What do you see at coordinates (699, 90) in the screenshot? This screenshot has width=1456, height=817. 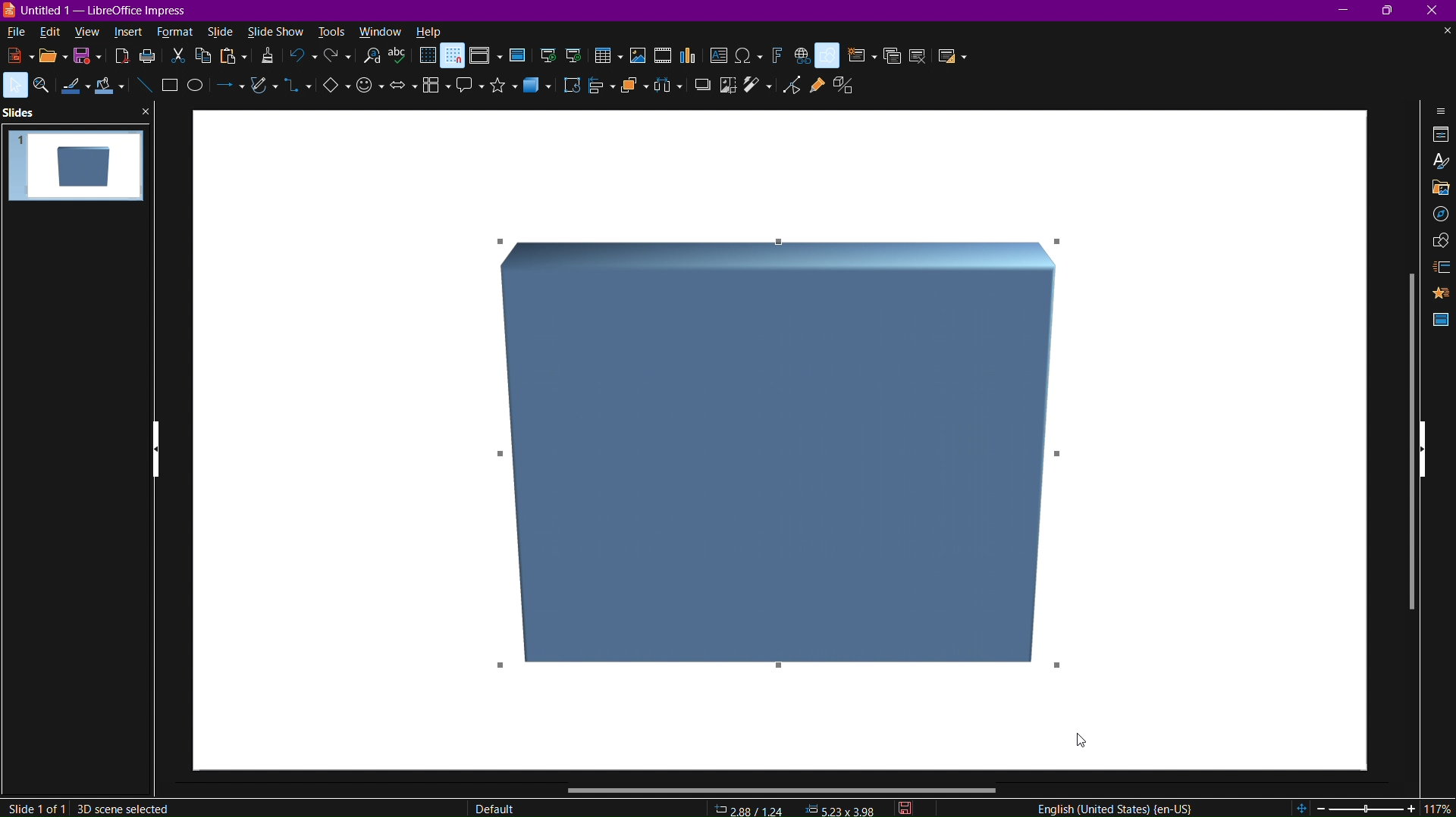 I see `Shadow` at bounding box center [699, 90].